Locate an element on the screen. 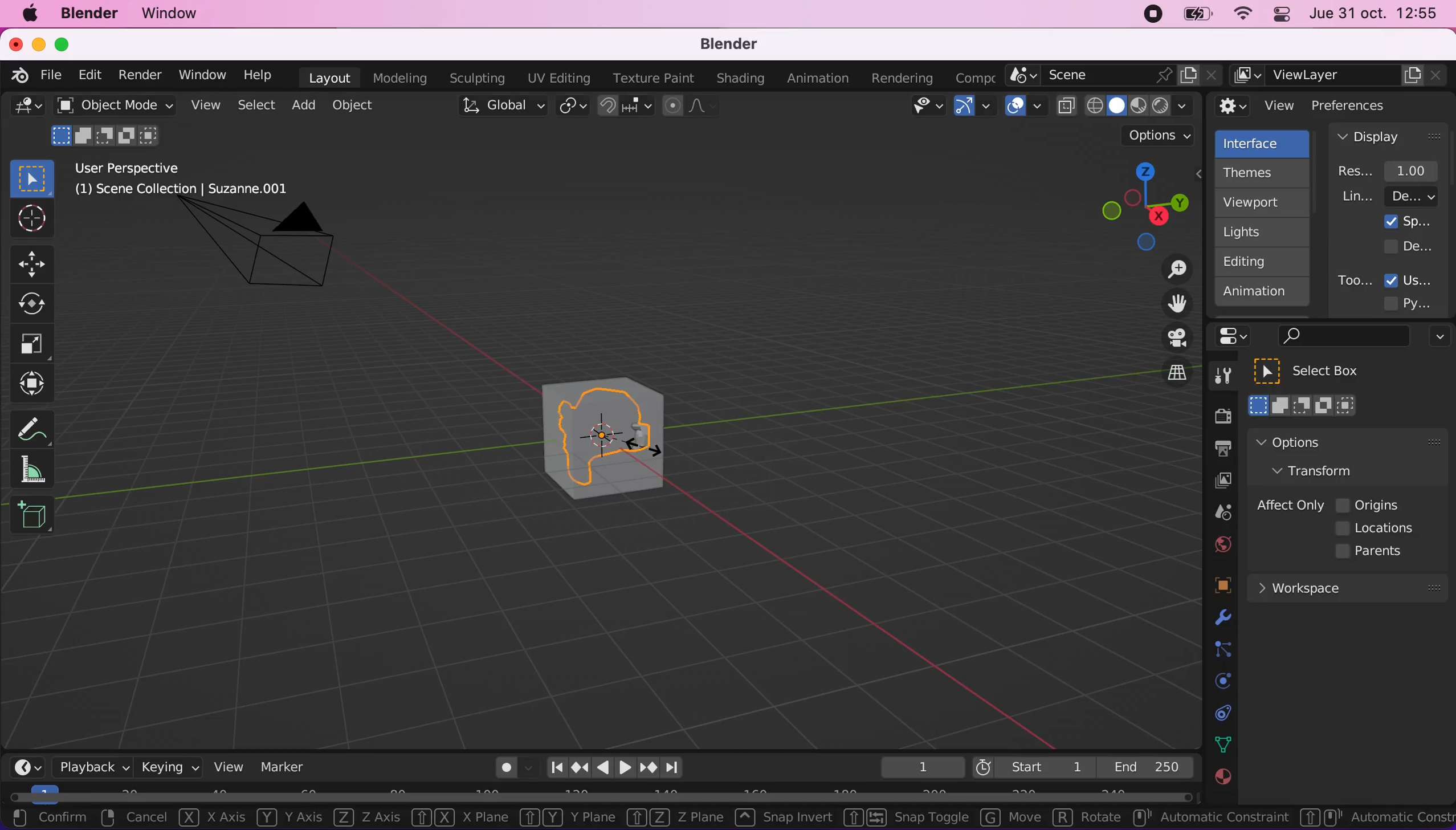 The image size is (1456, 830). blender is located at coordinates (88, 14).